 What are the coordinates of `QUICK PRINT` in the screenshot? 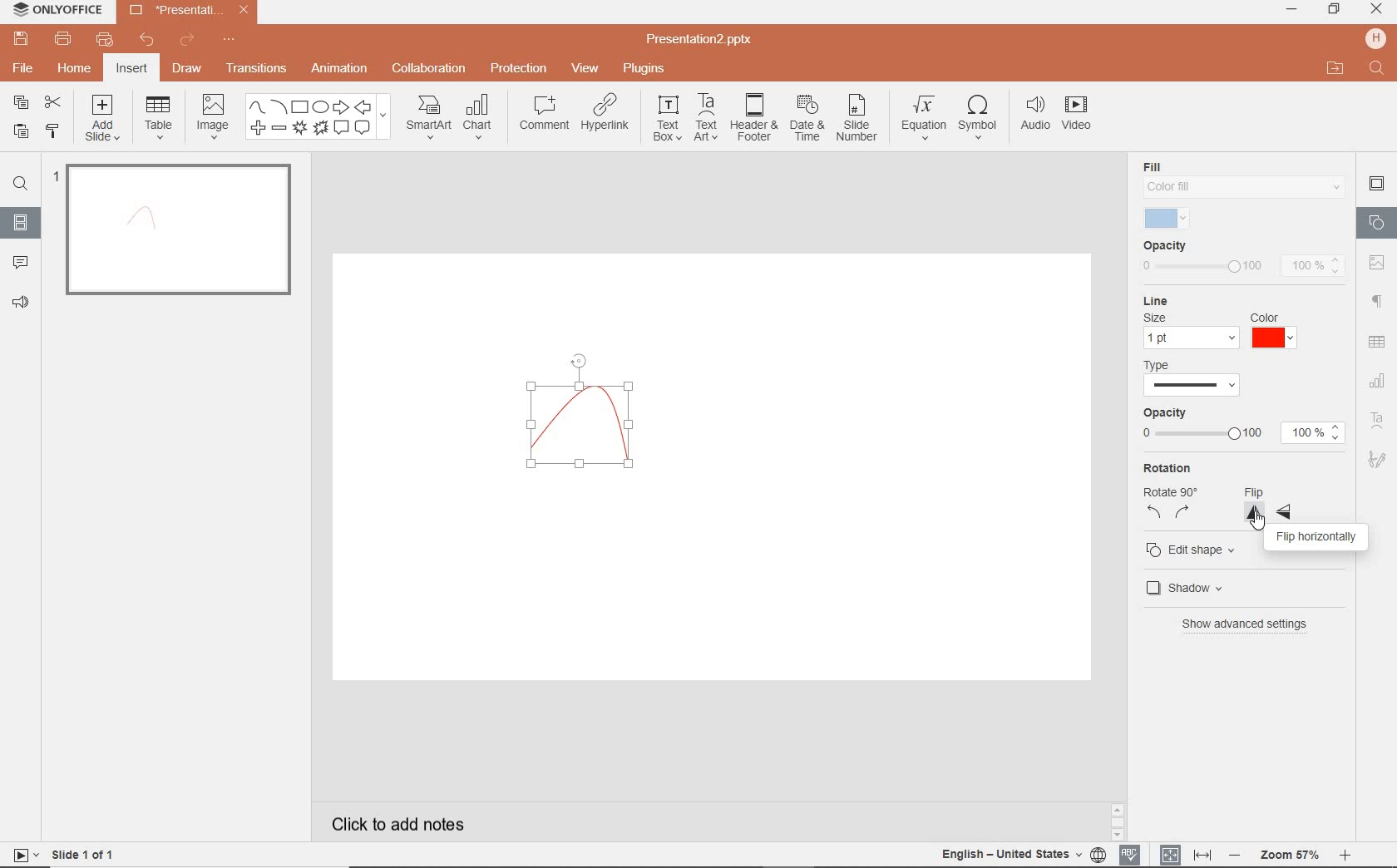 It's located at (103, 40).